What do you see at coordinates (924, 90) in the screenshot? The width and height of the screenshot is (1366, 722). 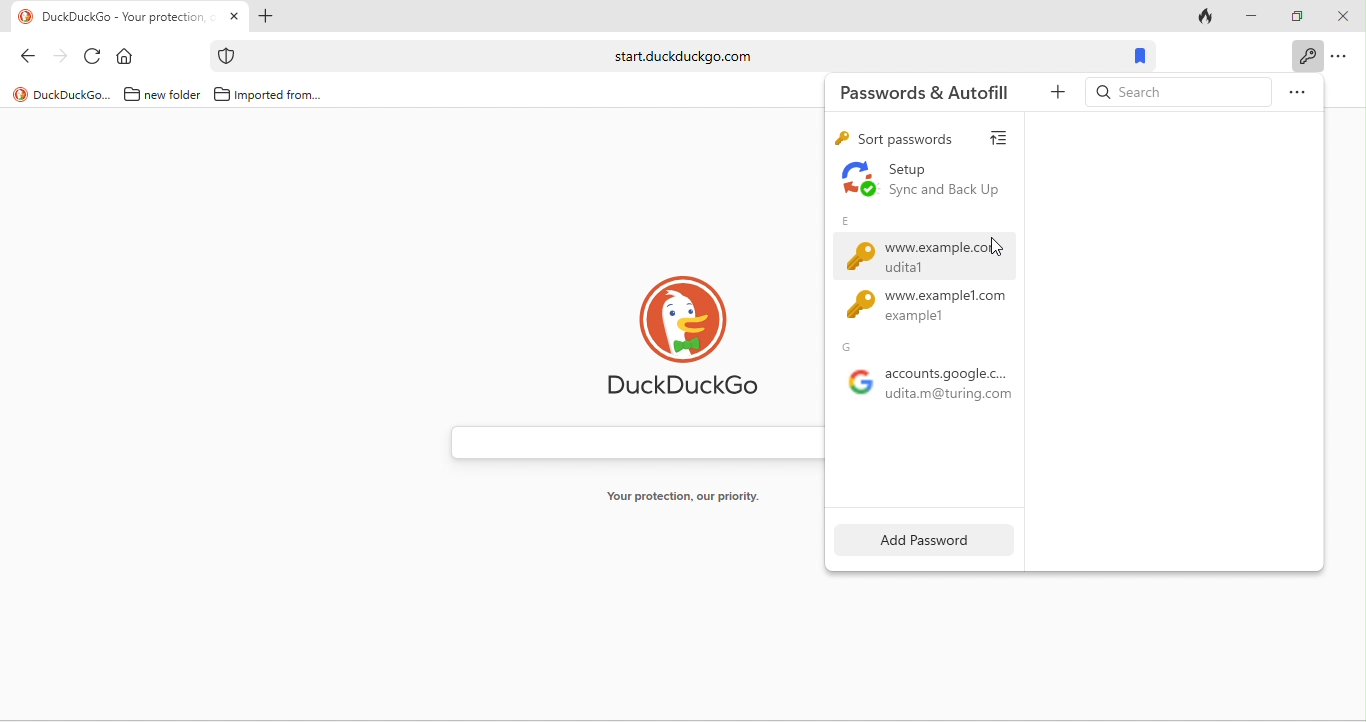 I see `password and autofill` at bounding box center [924, 90].